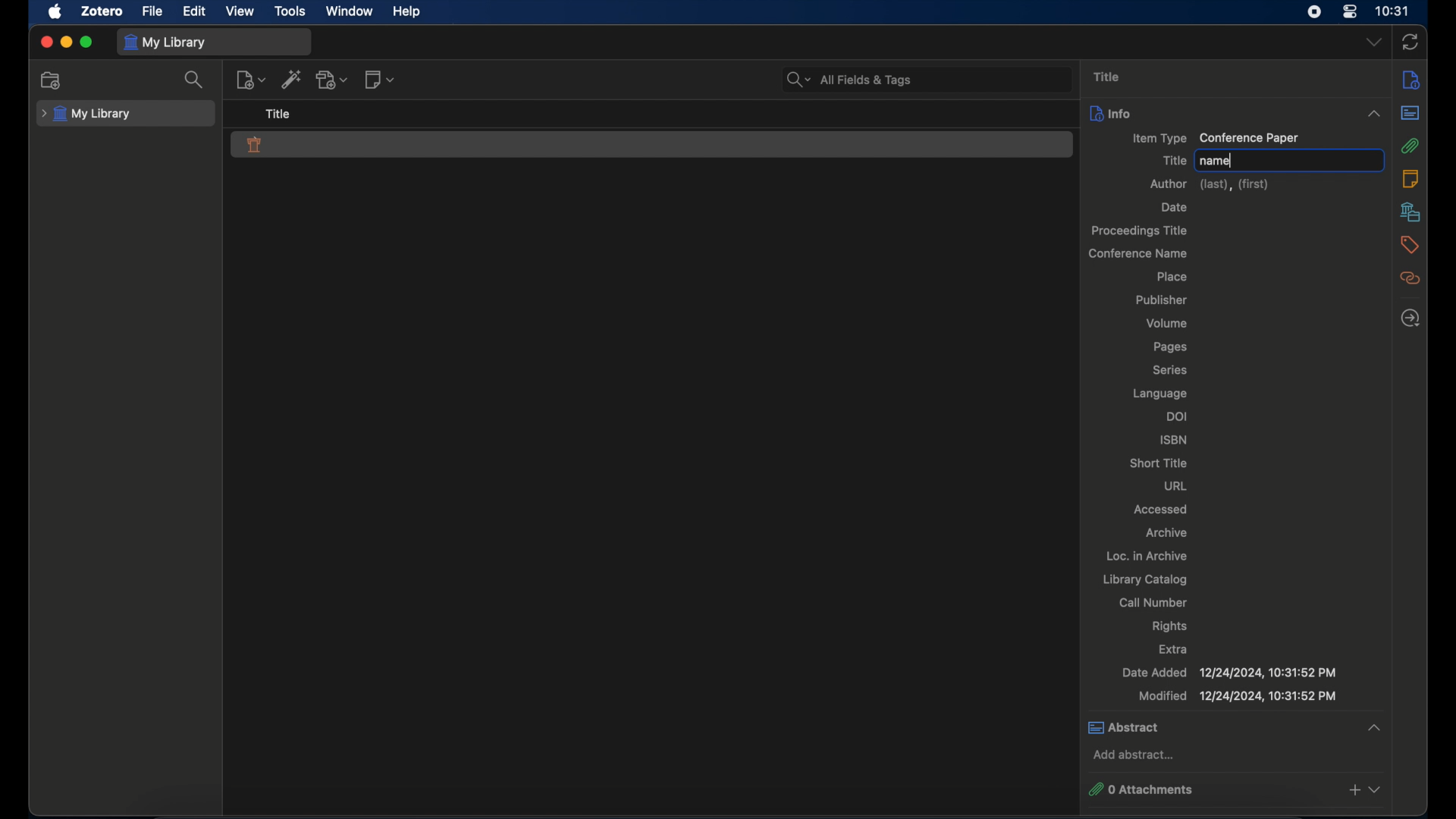 The width and height of the screenshot is (1456, 819). I want to click on language, so click(1159, 394).